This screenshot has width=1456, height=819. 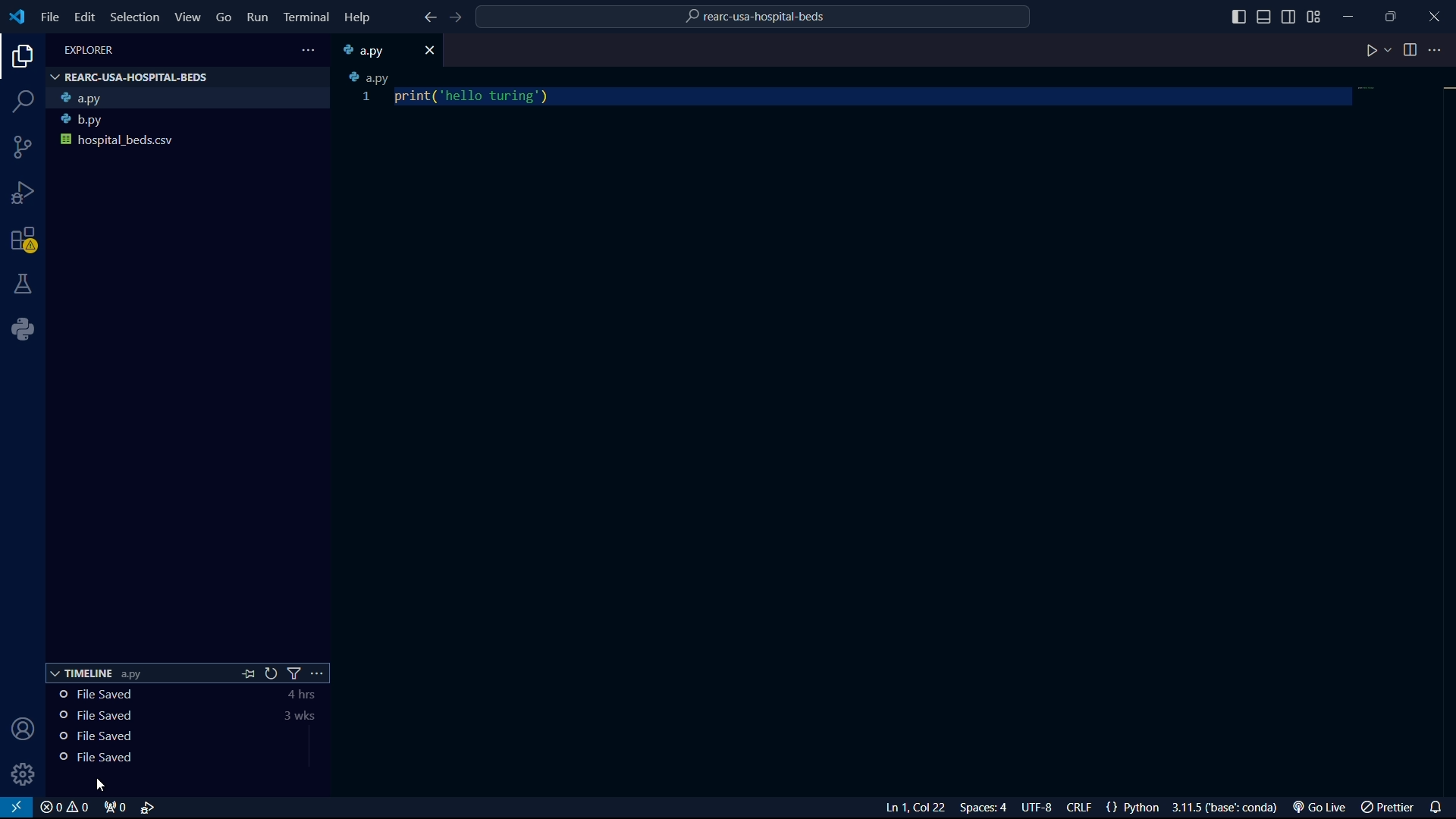 What do you see at coordinates (1266, 17) in the screenshot?
I see `toggle panel` at bounding box center [1266, 17].